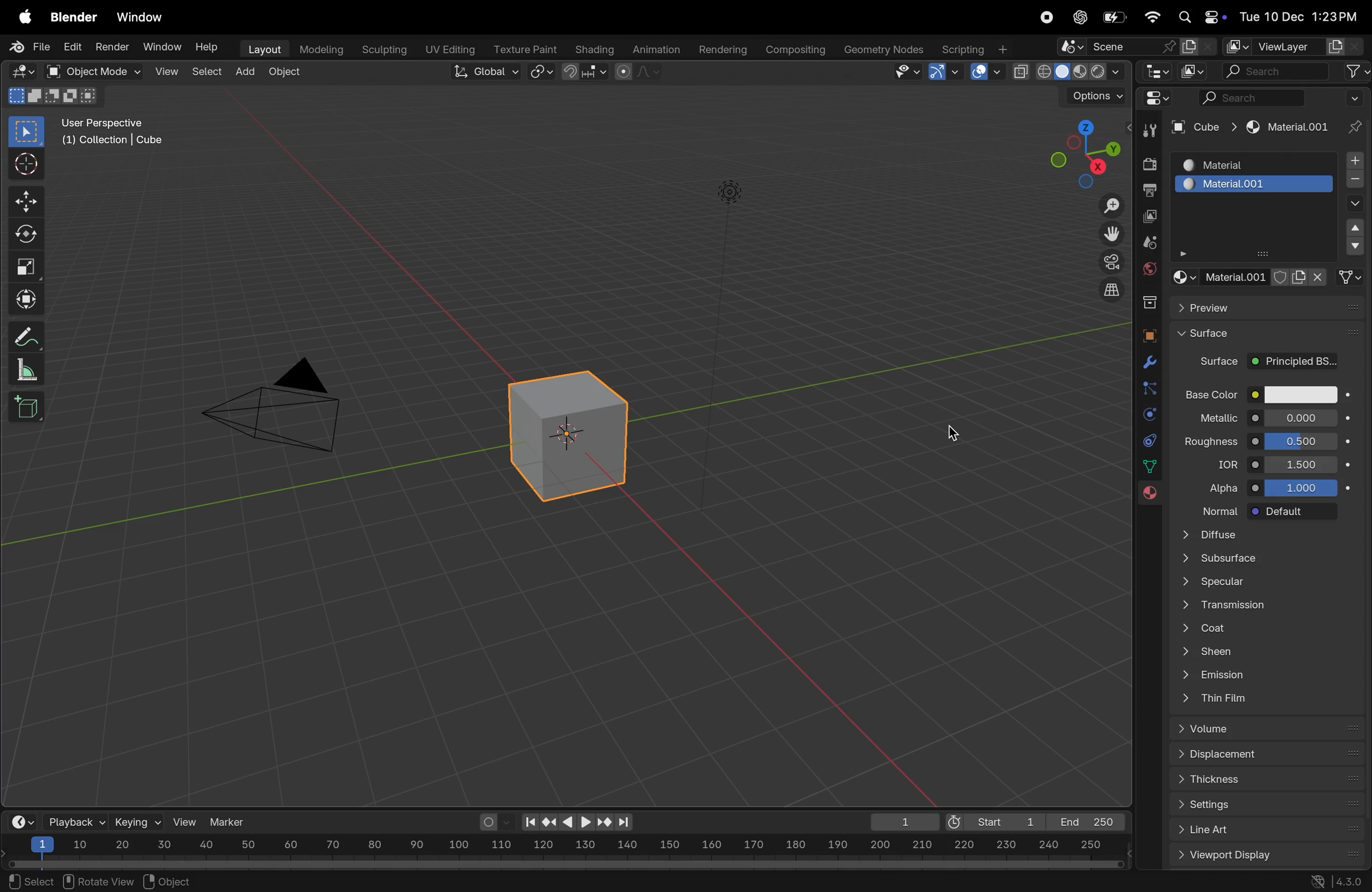 The height and width of the screenshot is (892, 1372). Describe the element at coordinates (1149, 190) in the screenshot. I see `output` at that location.